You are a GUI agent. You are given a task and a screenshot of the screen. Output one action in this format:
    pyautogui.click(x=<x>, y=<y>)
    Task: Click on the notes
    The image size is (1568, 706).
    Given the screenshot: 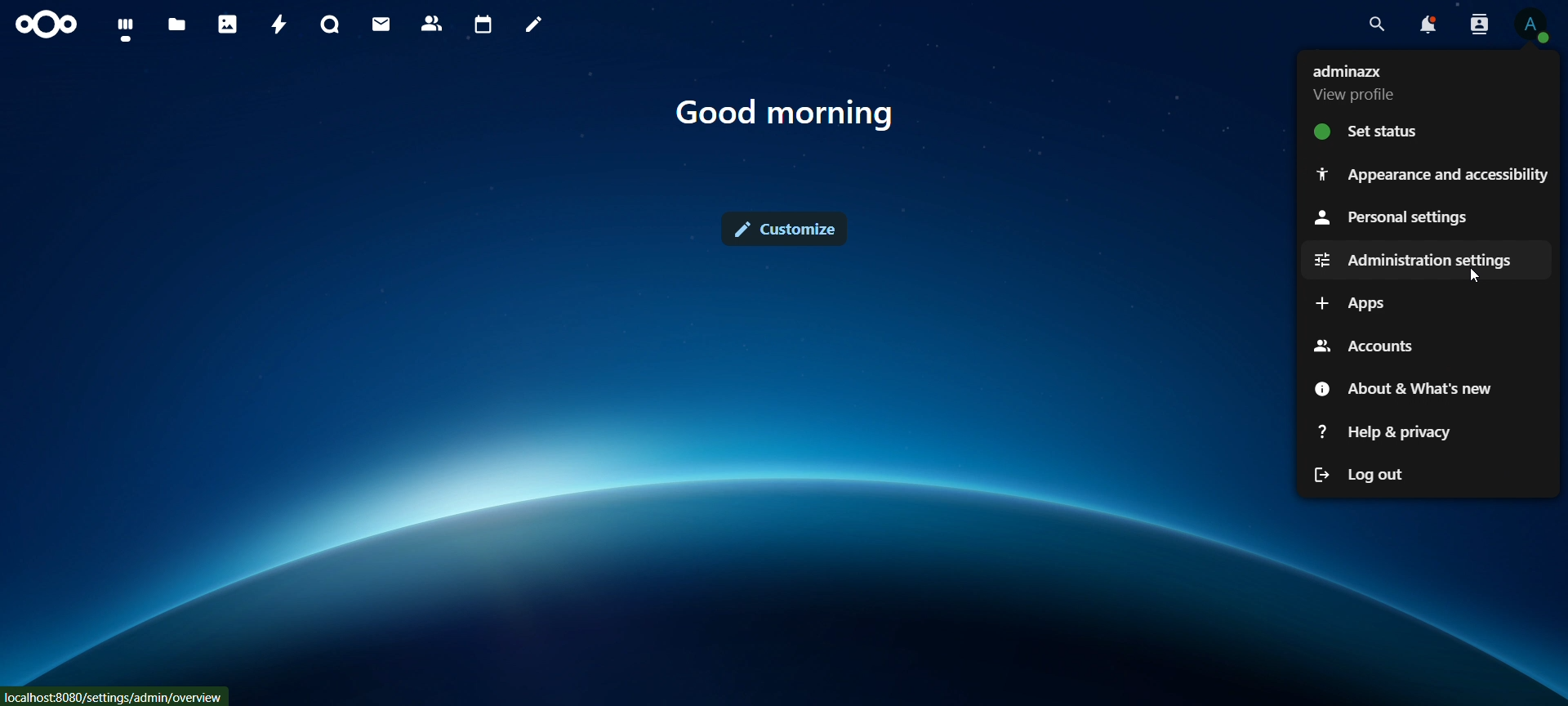 What is the action you would take?
    pyautogui.click(x=537, y=25)
    